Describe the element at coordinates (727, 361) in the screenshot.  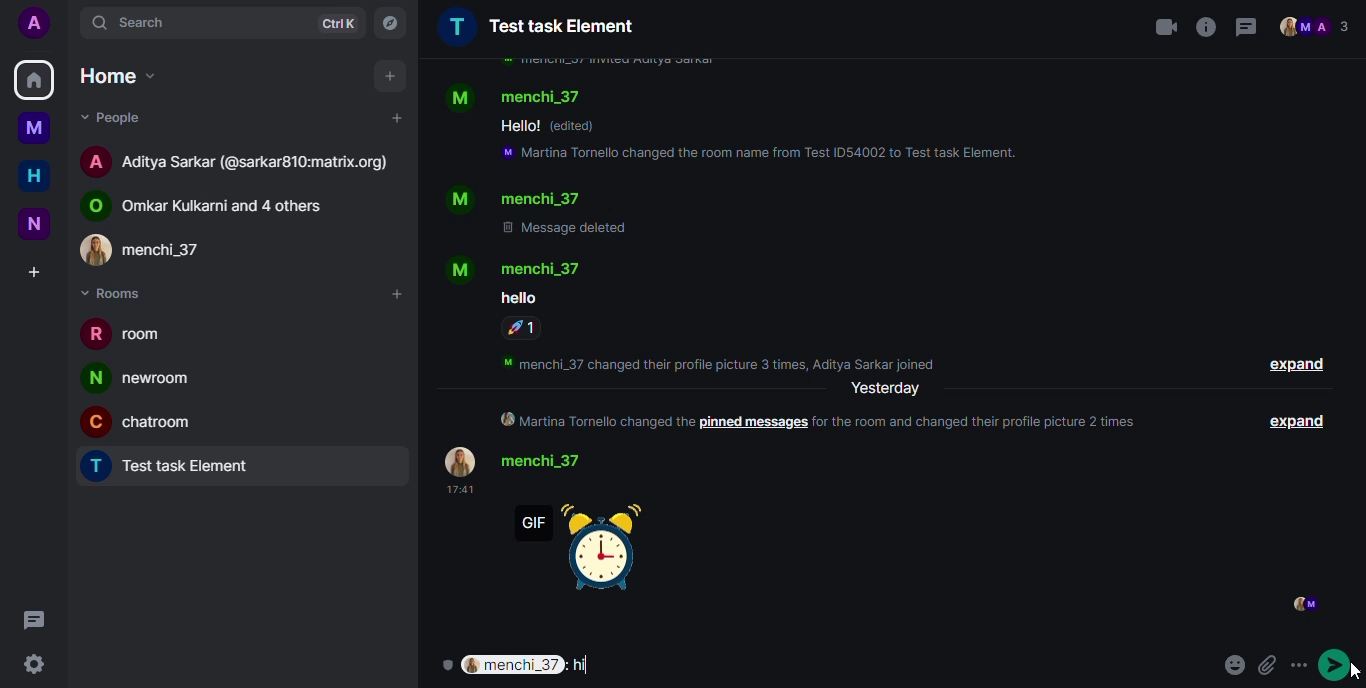
I see `info` at that location.